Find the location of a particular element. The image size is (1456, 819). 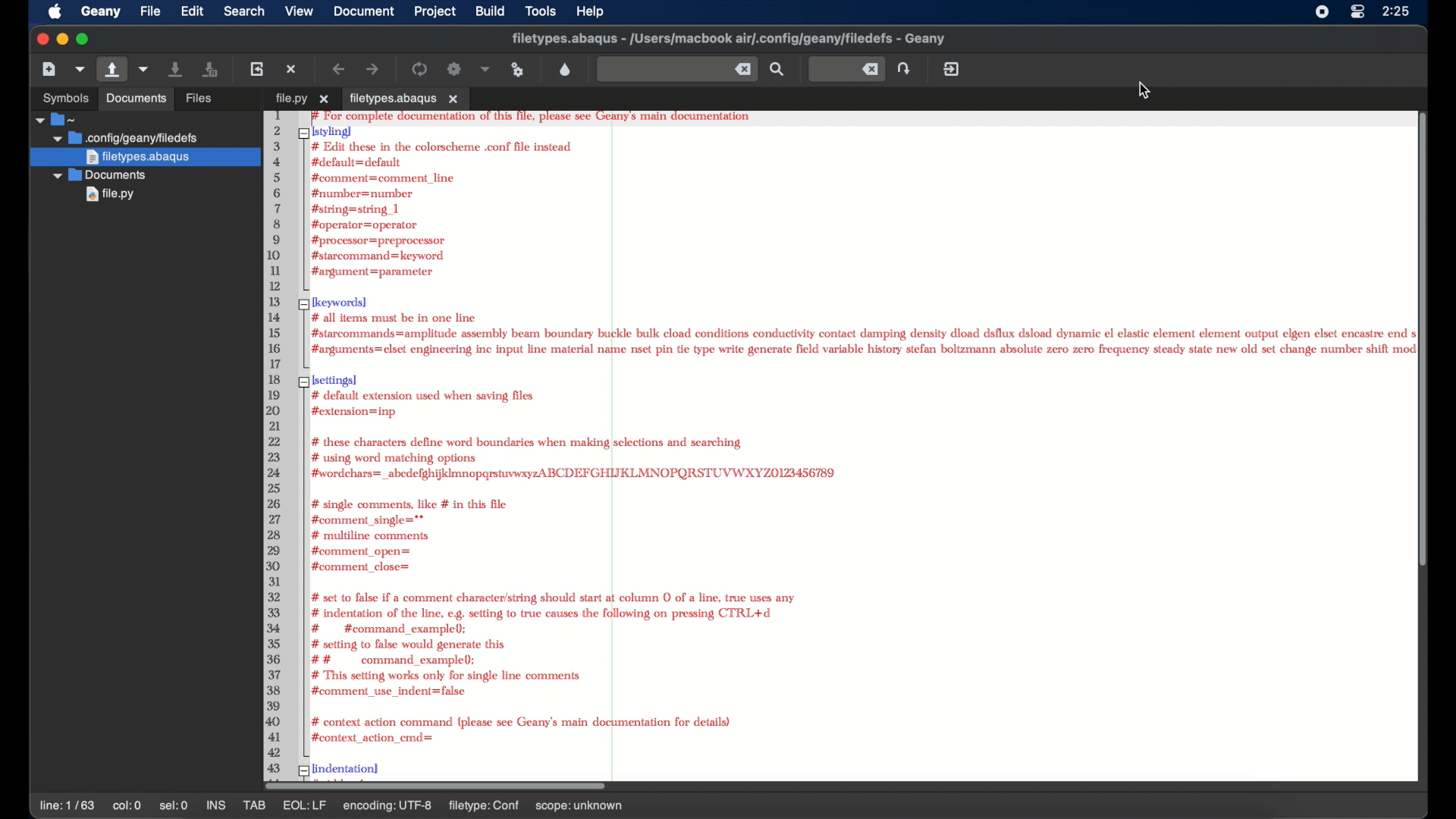

find the entered text in the current file is located at coordinates (676, 69).